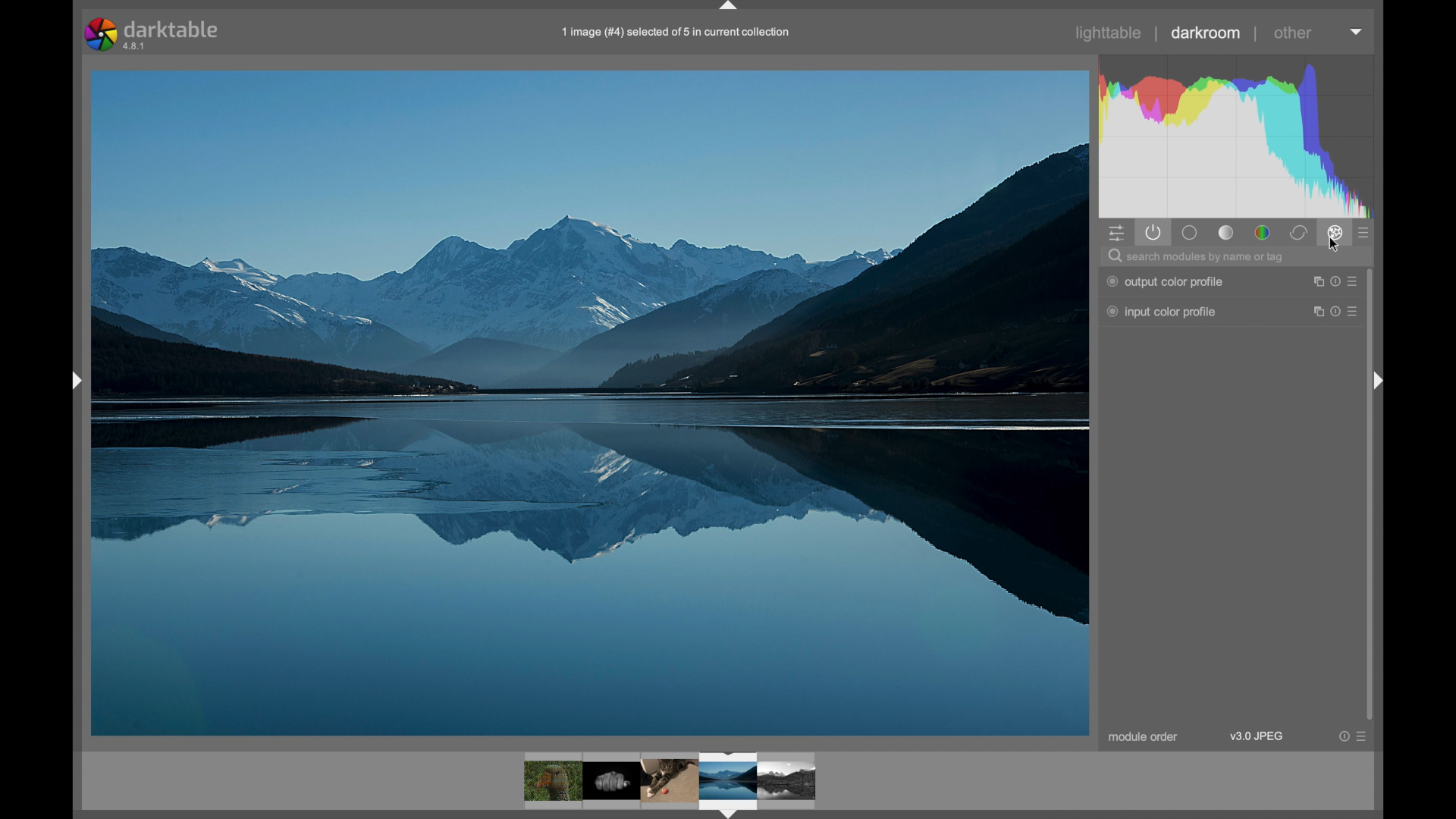 This screenshot has width=1456, height=819. What do you see at coordinates (1165, 282) in the screenshot?
I see `output color profiles` at bounding box center [1165, 282].